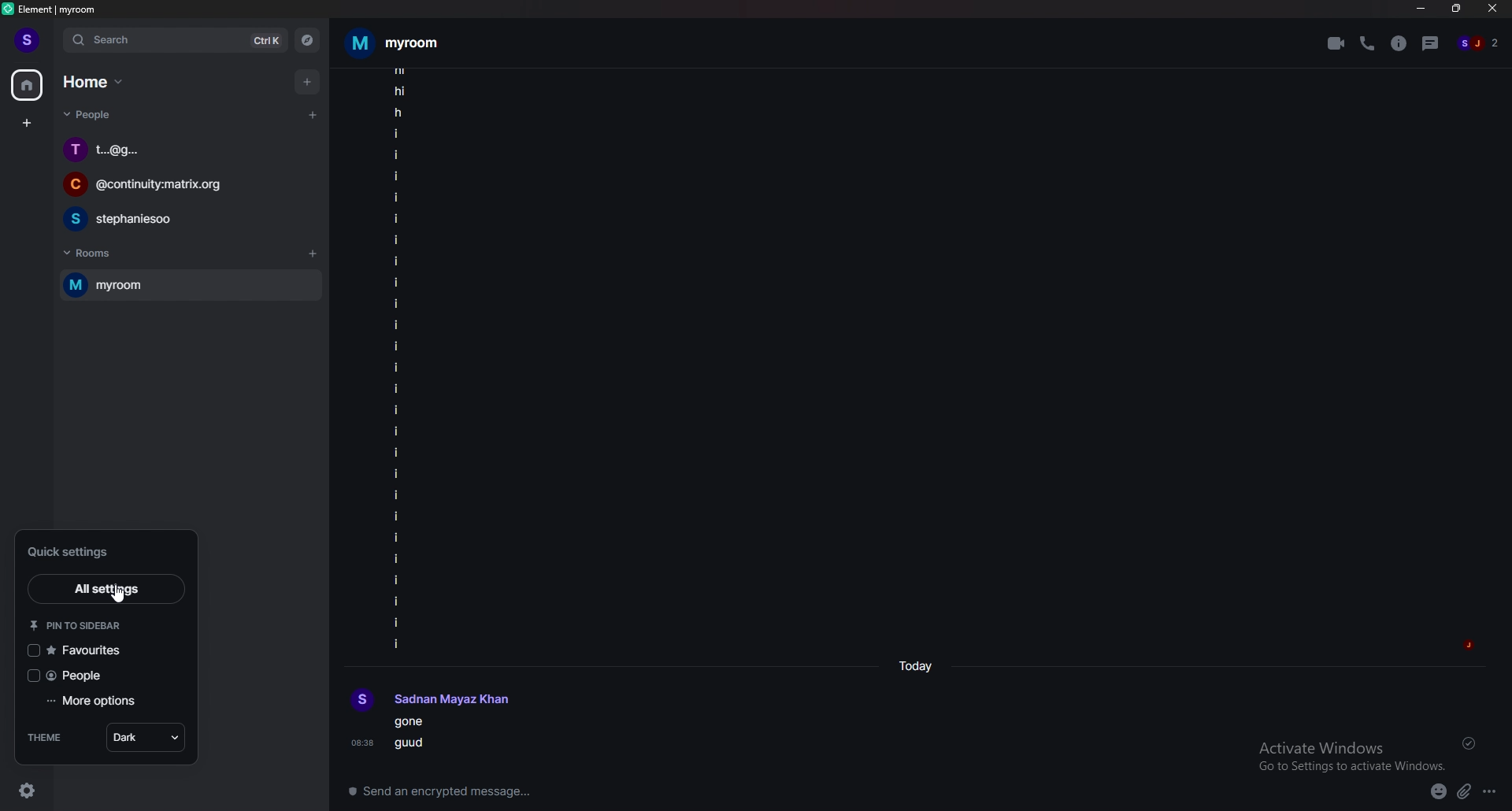 Image resolution: width=1512 pixels, height=811 pixels. I want to click on more options, so click(1494, 792).